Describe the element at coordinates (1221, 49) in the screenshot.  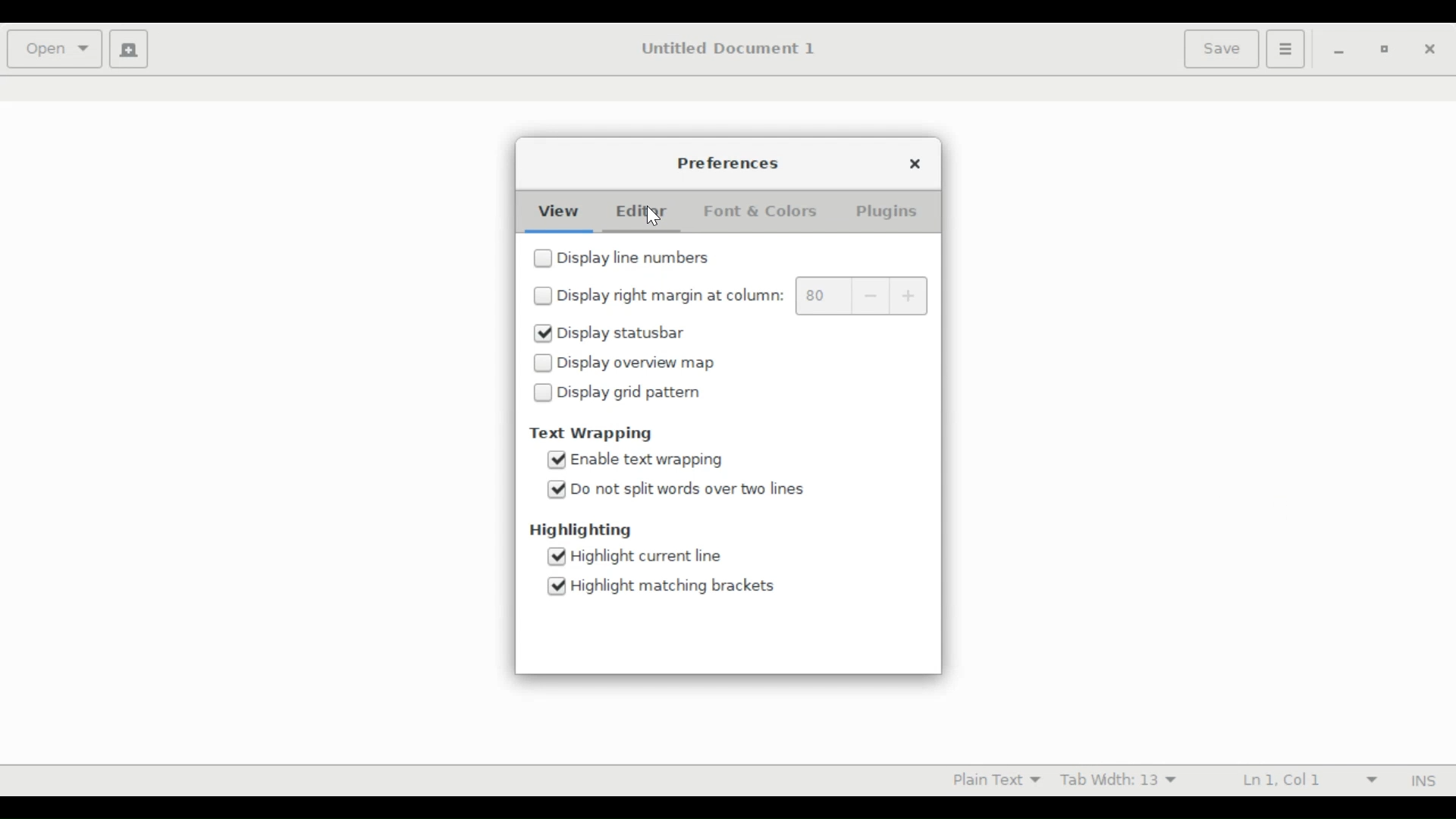
I see `Save` at that location.